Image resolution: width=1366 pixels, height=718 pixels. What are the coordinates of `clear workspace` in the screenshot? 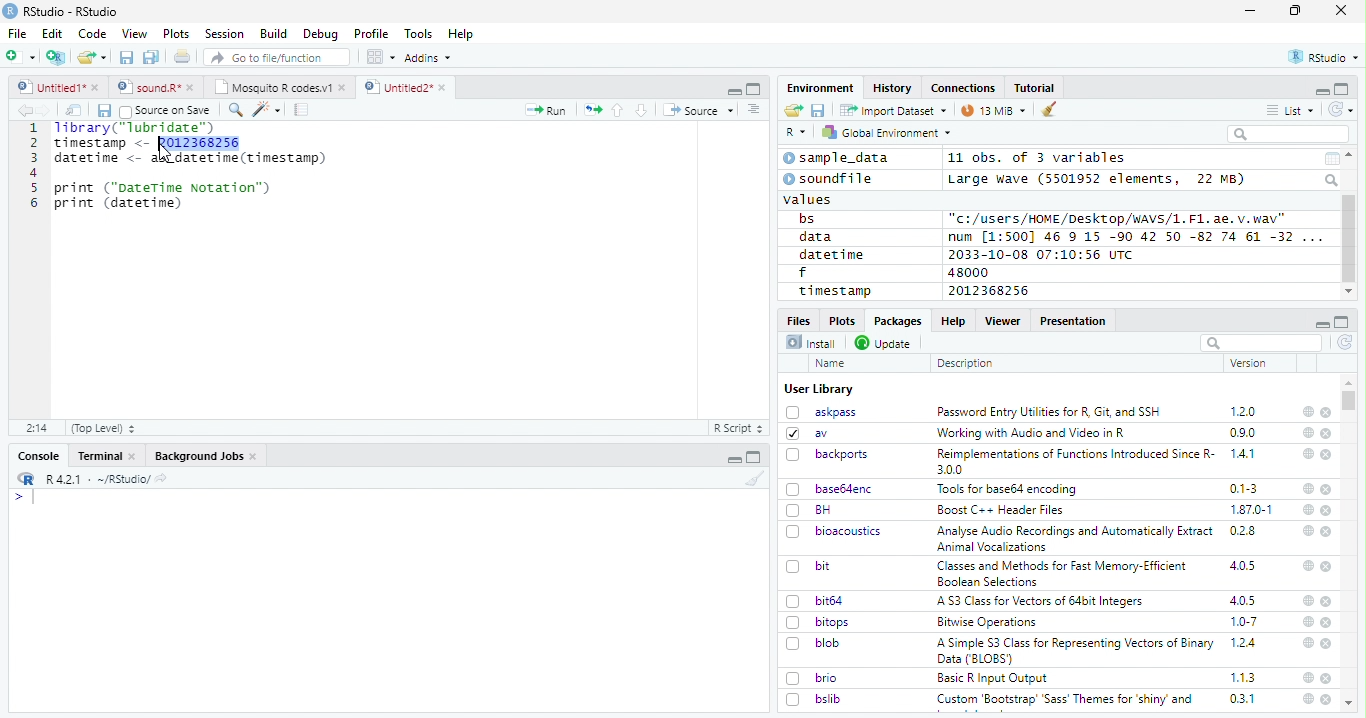 It's located at (1050, 110).